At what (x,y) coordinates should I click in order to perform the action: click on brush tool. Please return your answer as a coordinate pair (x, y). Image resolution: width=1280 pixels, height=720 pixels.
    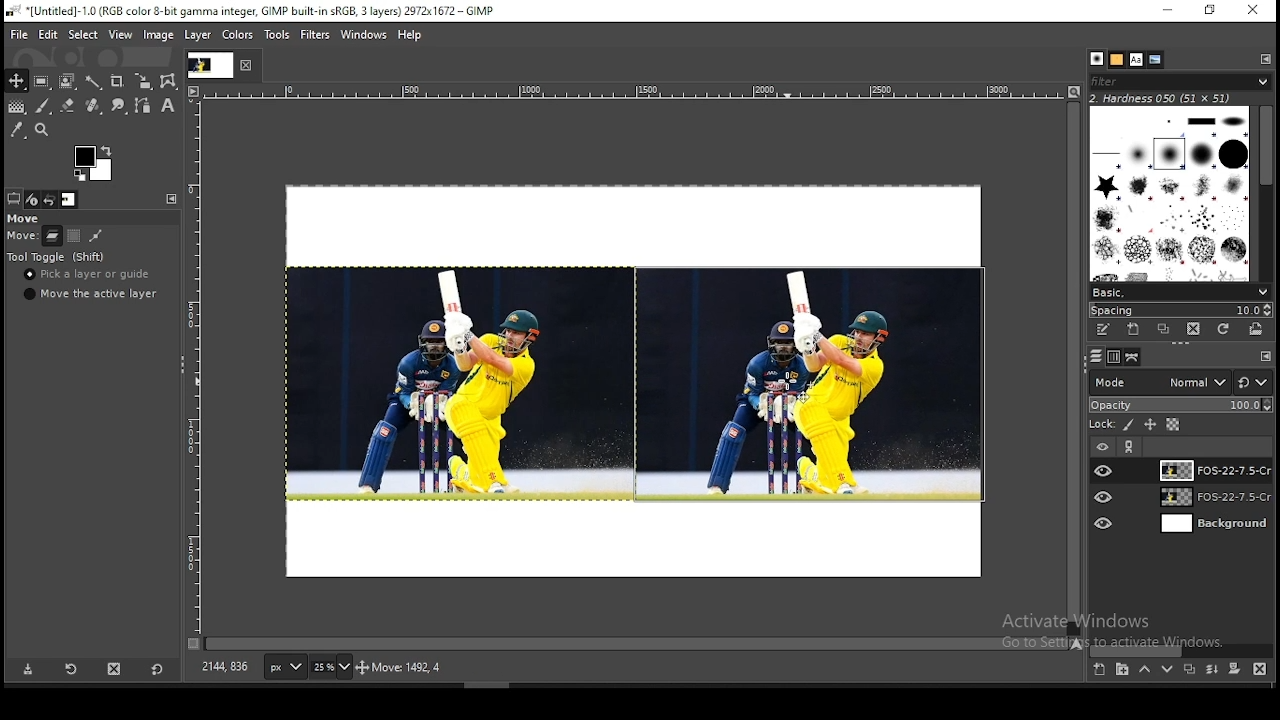
    Looking at the image, I should click on (43, 106).